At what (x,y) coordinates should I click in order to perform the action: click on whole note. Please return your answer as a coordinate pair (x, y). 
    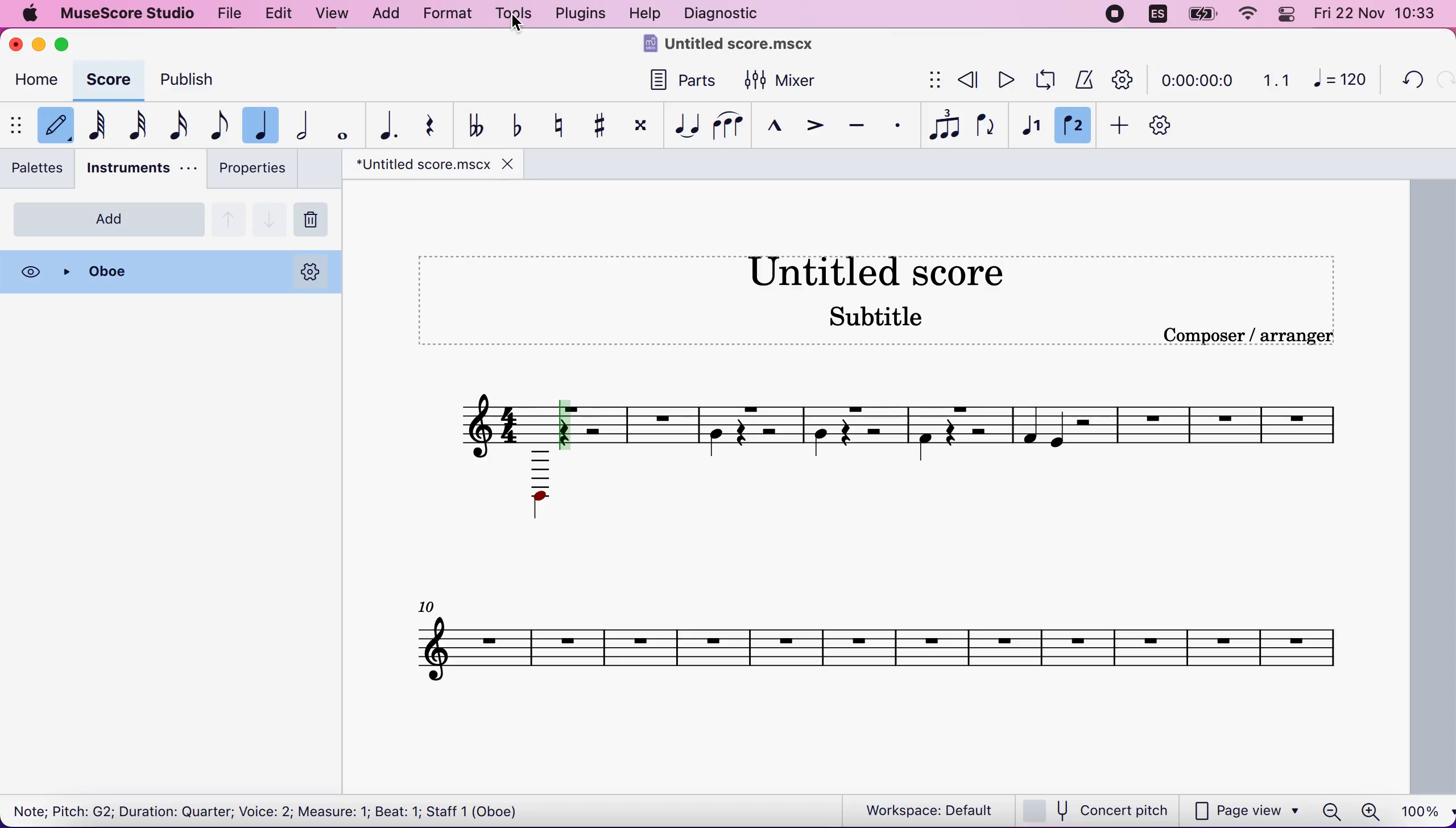
    Looking at the image, I should click on (343, 125).